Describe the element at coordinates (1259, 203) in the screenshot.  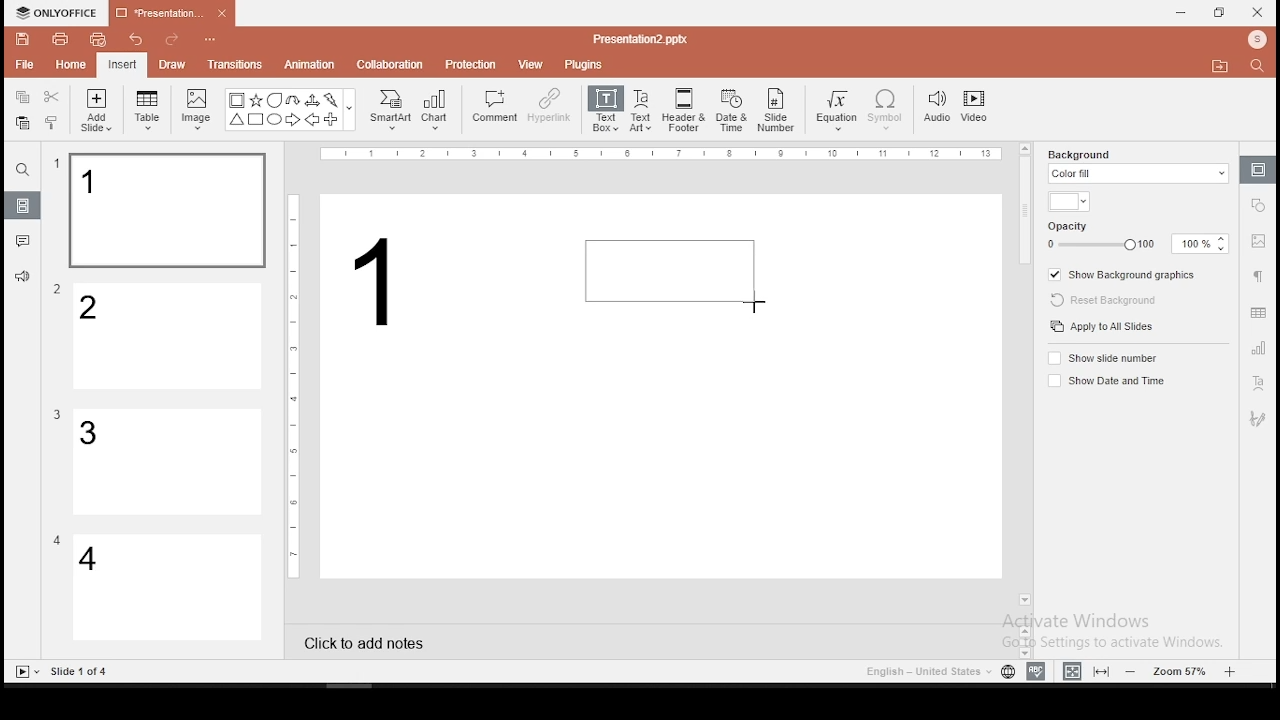
I see `shape settings` at that location.